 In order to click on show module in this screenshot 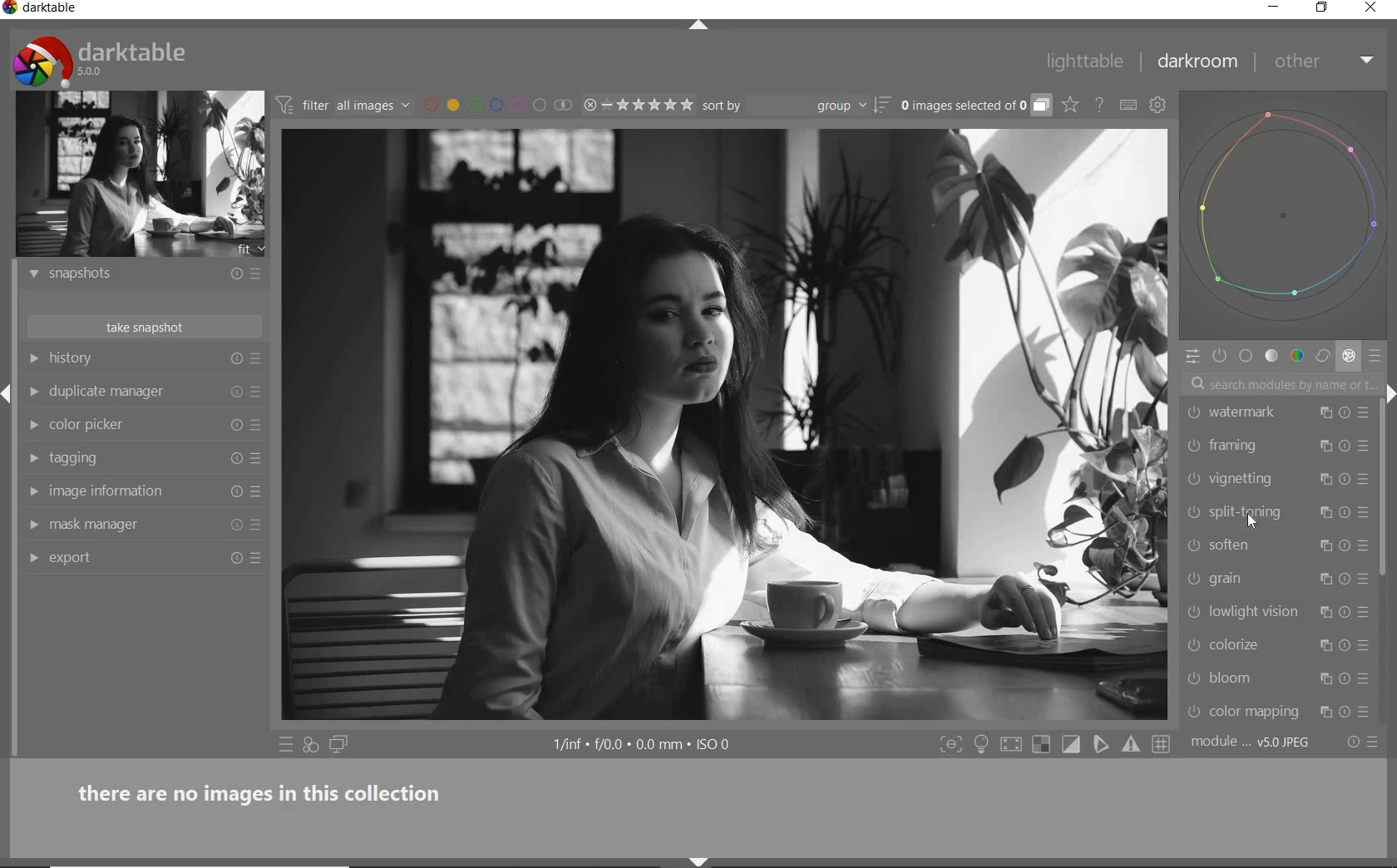, I will do `click(32, 525)`.